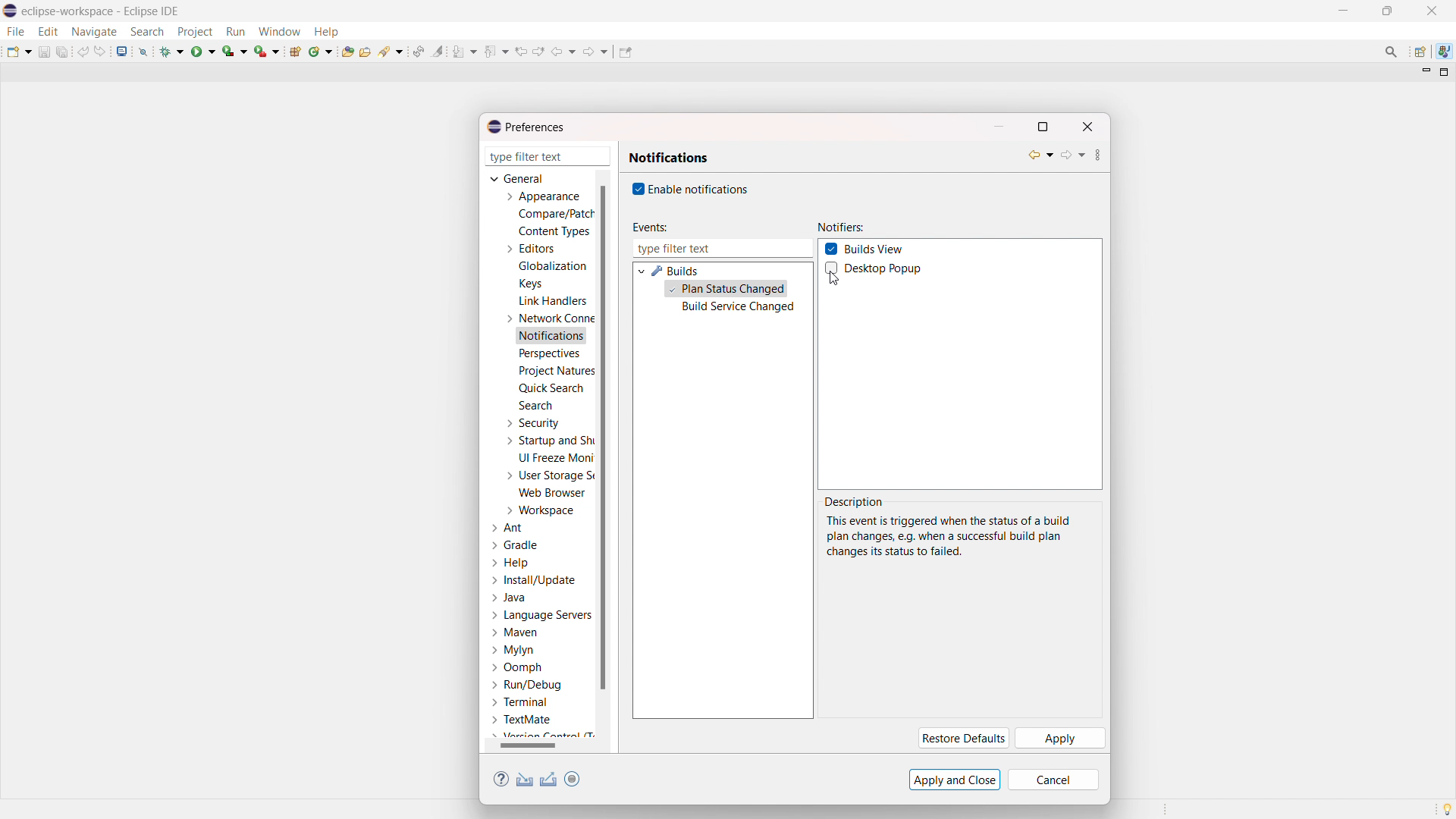 Image resolution: width=1456 pixels, height=819 pixels. What do you see at coordinates (669, 158) in the screenshot?
I see `notifications` at bounding box center [669, 158].